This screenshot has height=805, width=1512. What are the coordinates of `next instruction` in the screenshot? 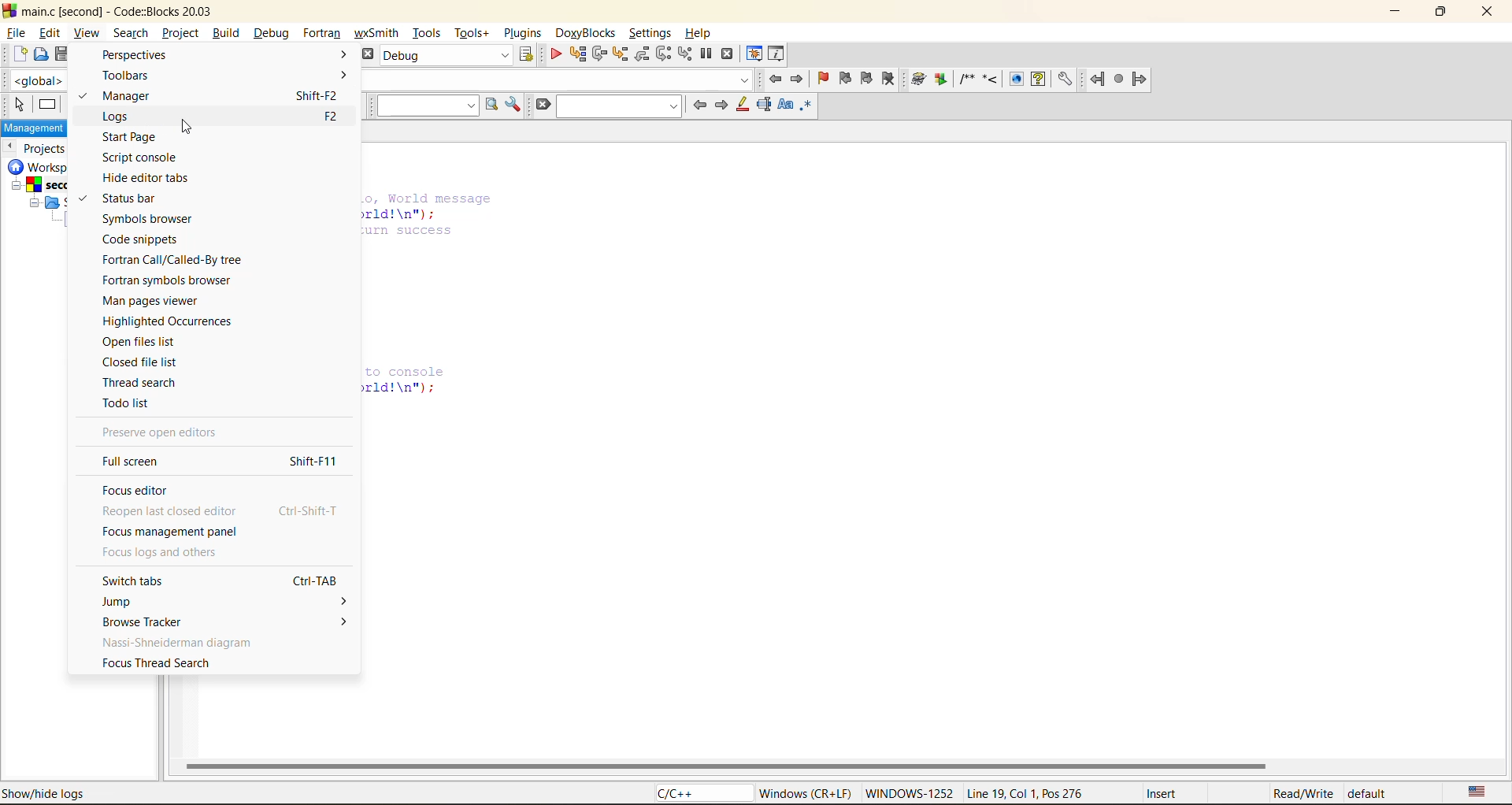 It's located at (662, 54).